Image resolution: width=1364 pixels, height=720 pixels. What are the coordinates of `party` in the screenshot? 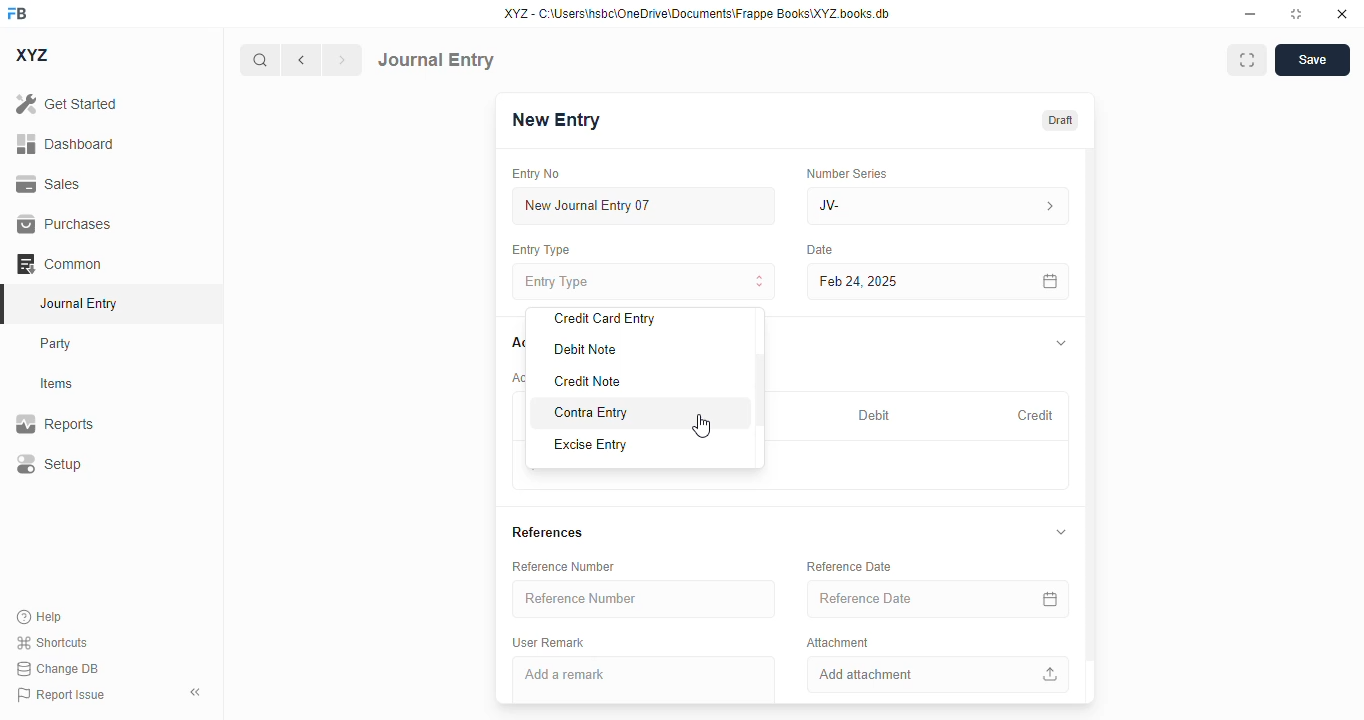 It's located at (58, 344).